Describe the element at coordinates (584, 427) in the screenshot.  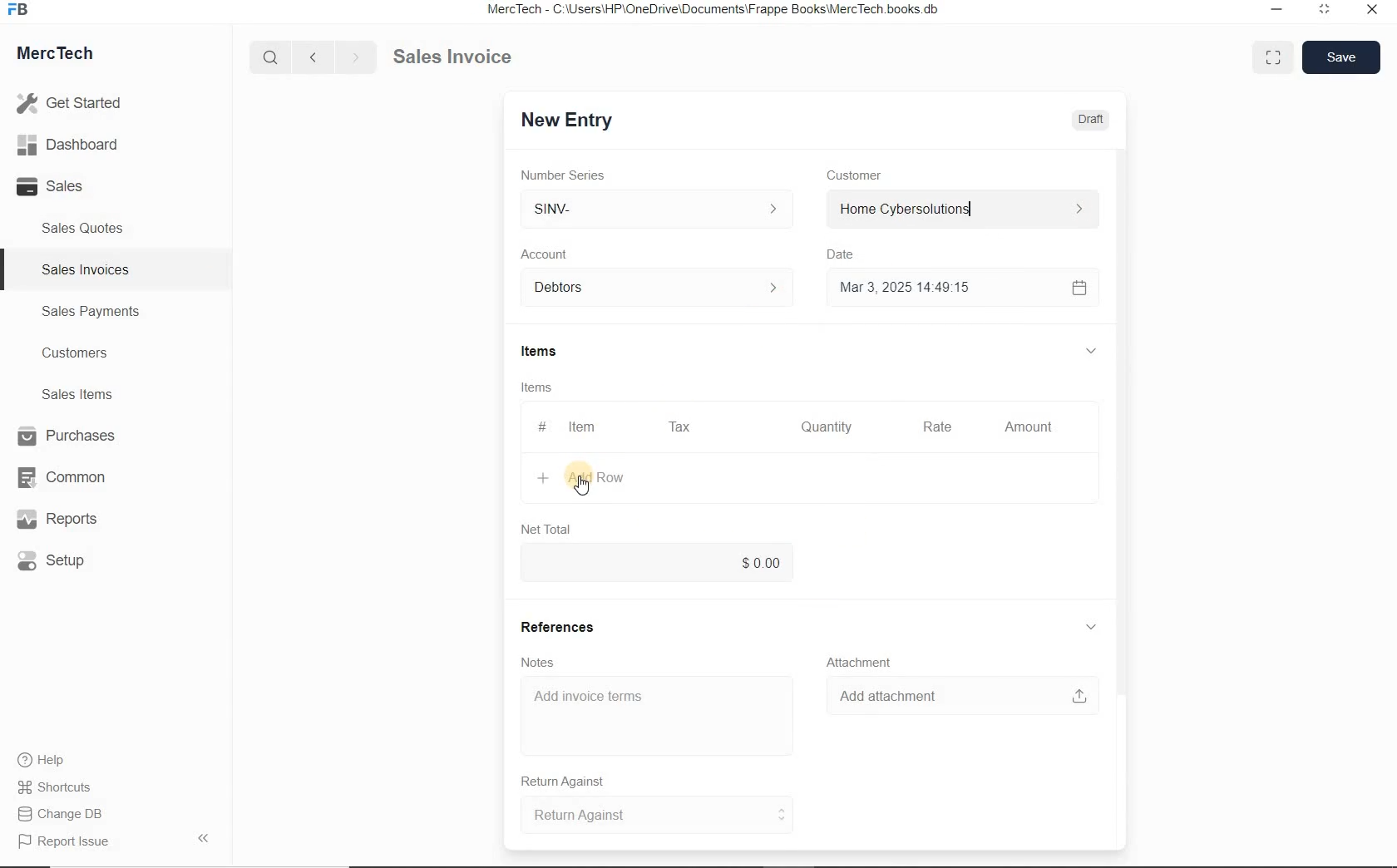
I see `Item` at that location.